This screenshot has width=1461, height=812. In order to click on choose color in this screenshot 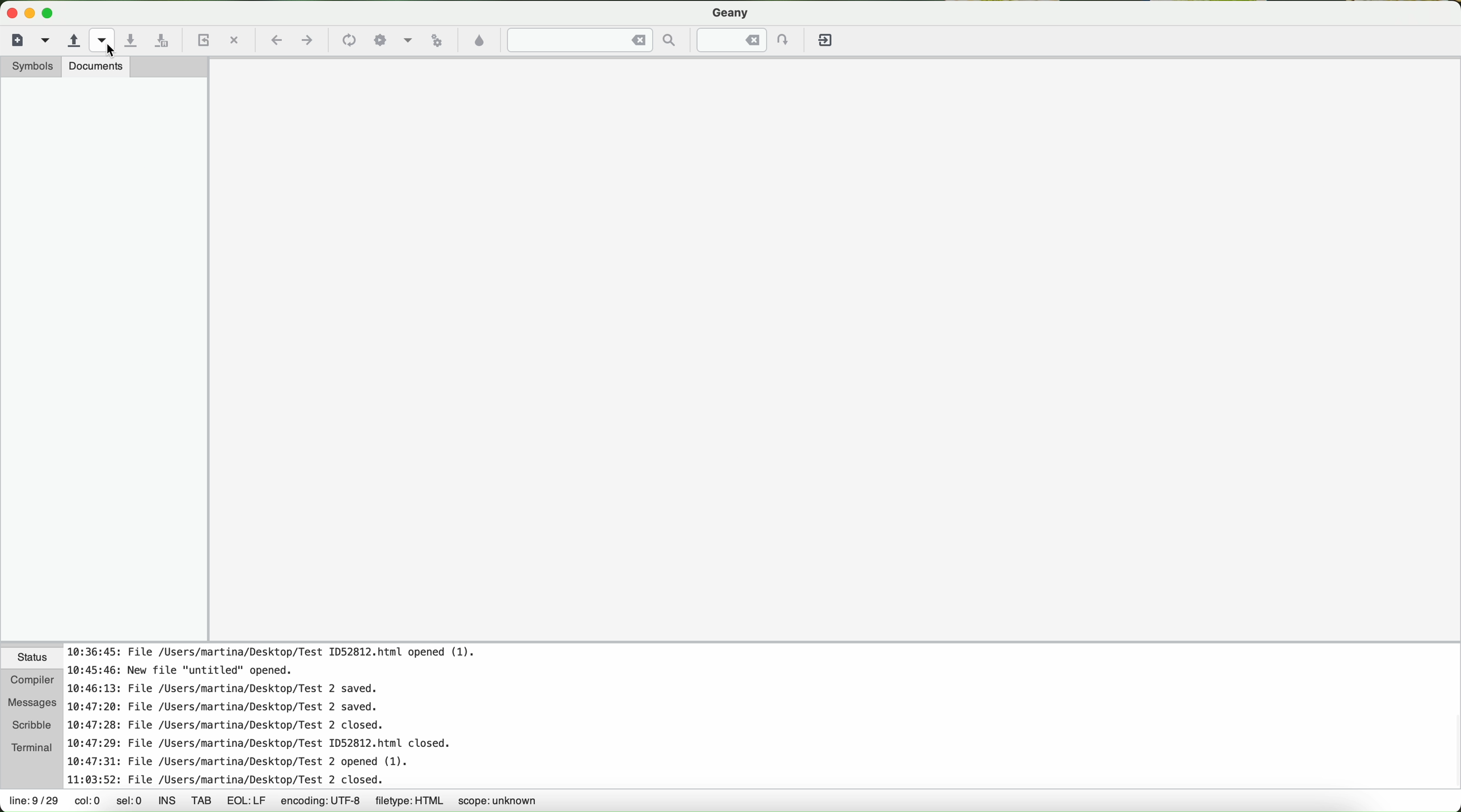, I will do `click(478, 41)`.